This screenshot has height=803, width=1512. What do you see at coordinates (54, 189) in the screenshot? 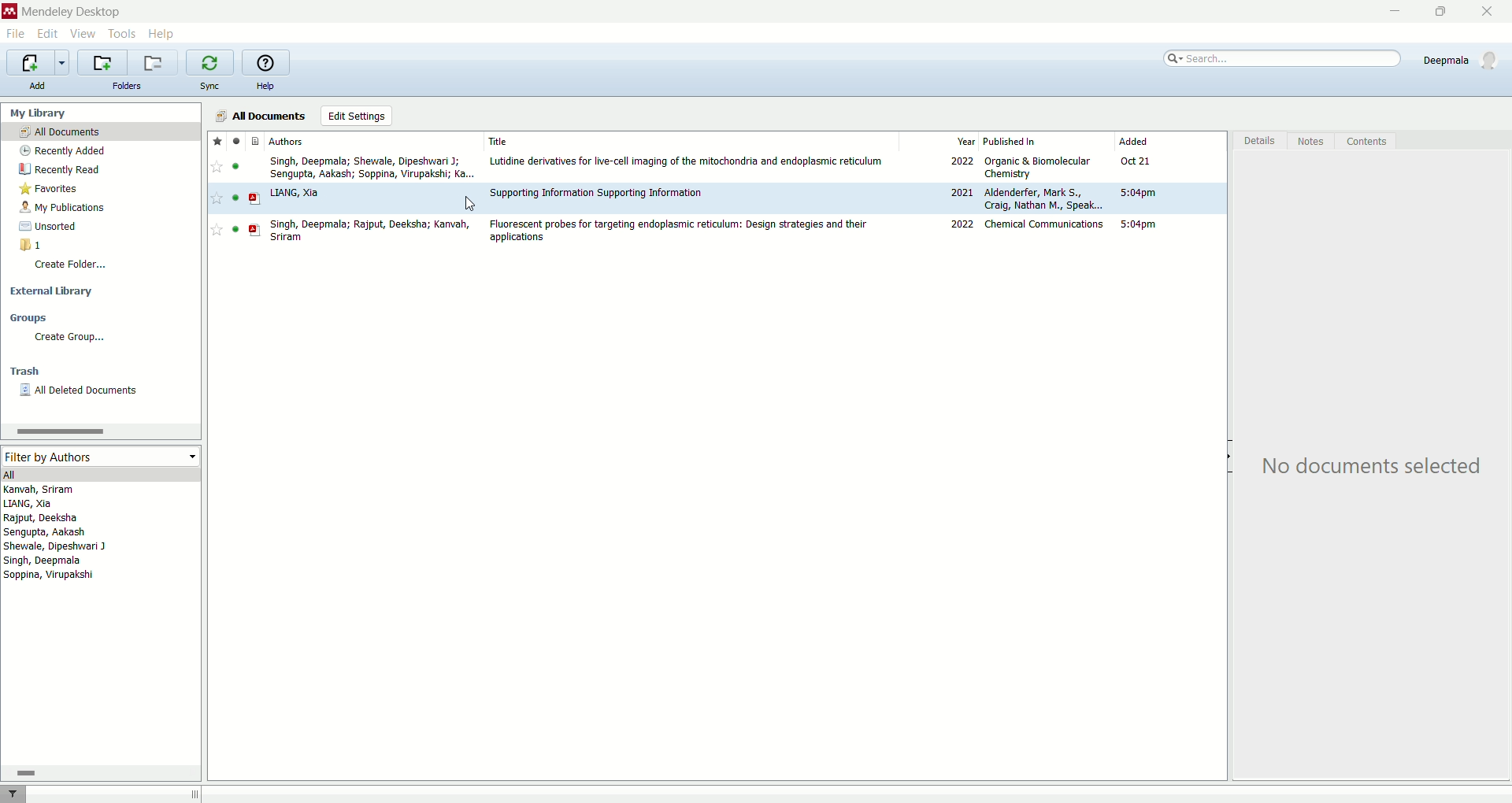
I see `favorites` at bounding box center [54, 189].